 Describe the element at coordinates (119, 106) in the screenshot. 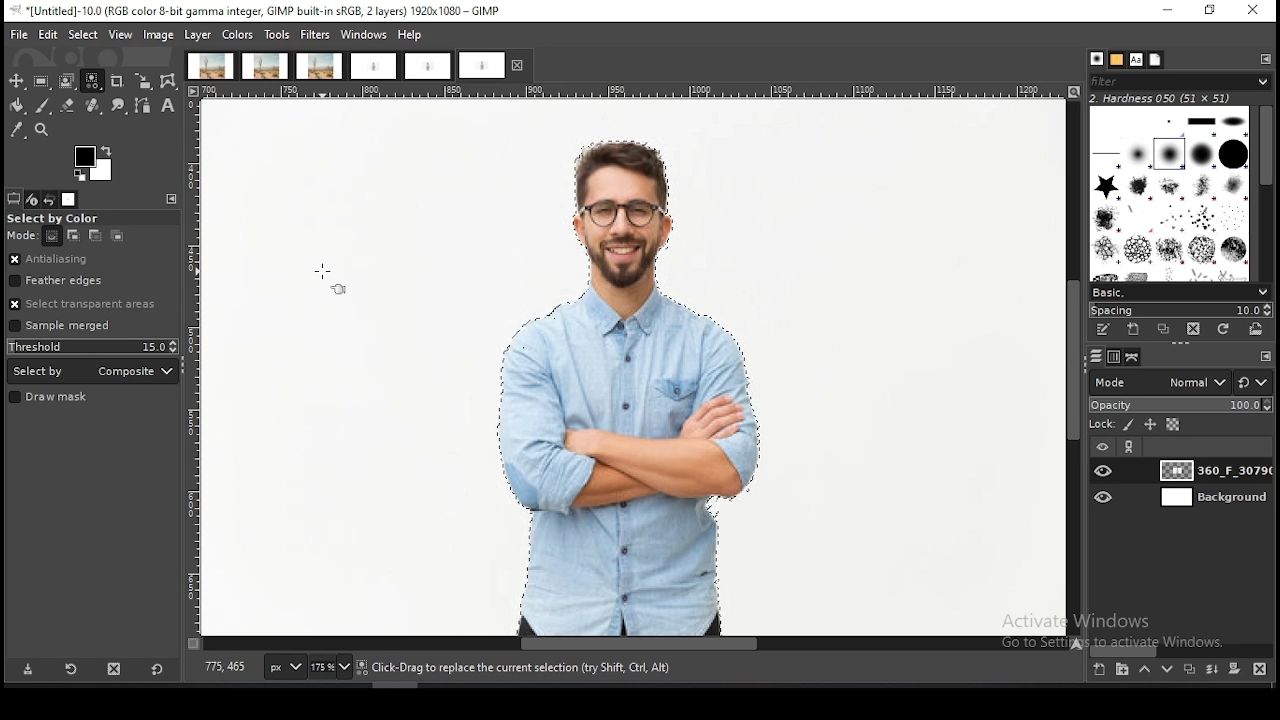

I see `smudge tool` at that location.